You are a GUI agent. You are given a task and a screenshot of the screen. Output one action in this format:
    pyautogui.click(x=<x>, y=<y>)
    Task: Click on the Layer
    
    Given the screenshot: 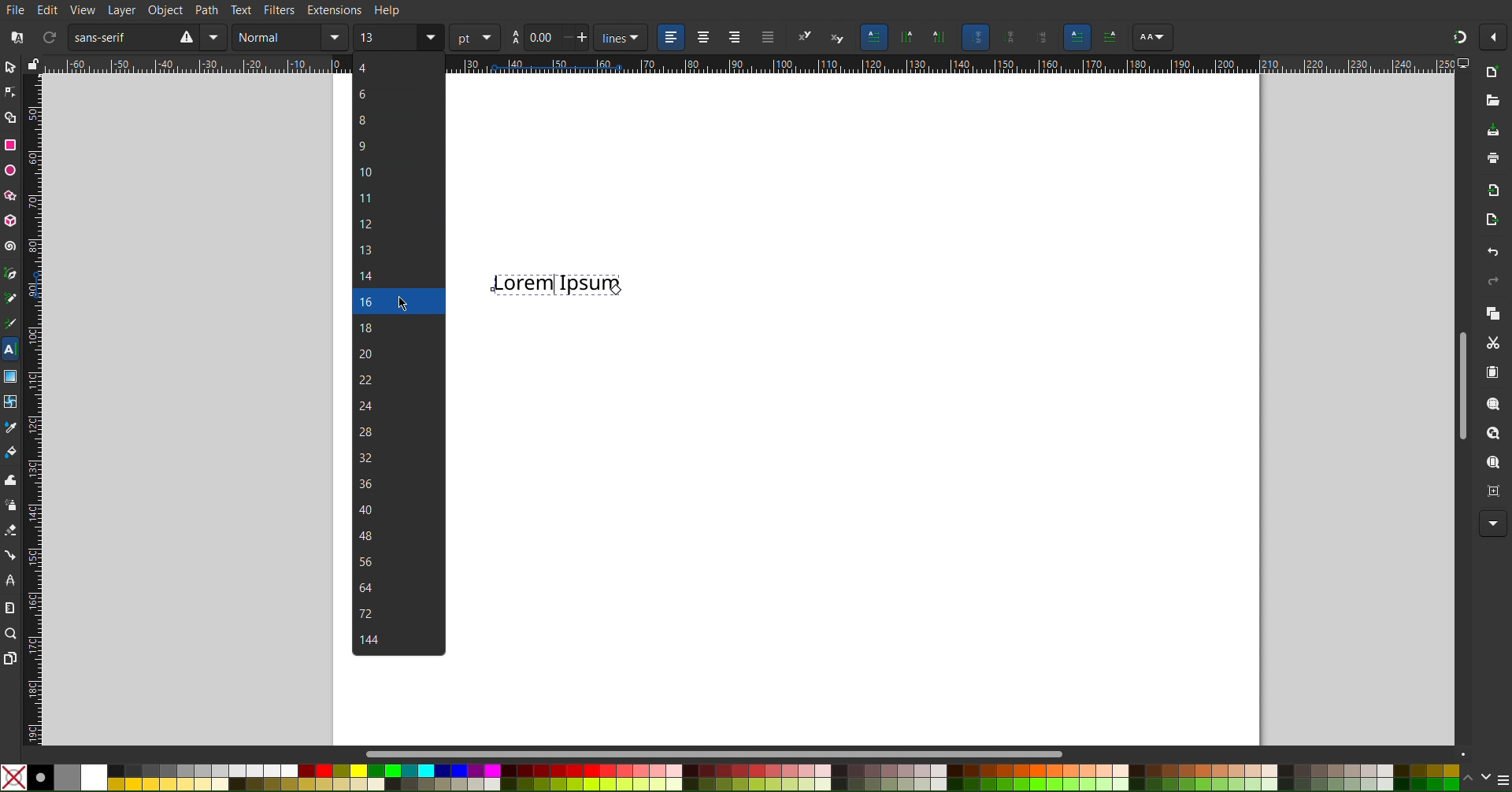 What is the action you would take?
    pyautogui.click(x=122, y=10)
    